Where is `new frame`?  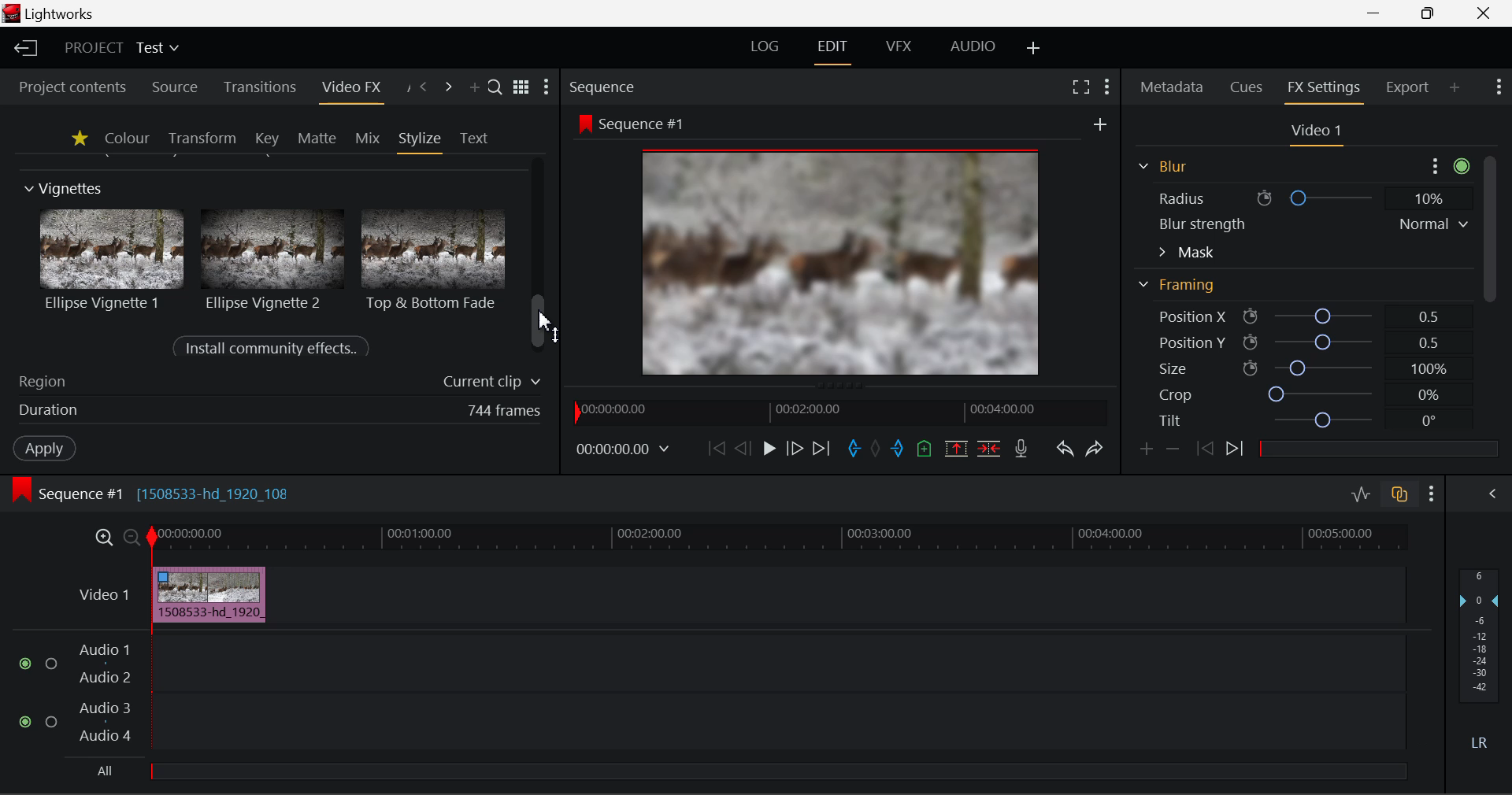
new frame is located at coordinates (1102, 124).